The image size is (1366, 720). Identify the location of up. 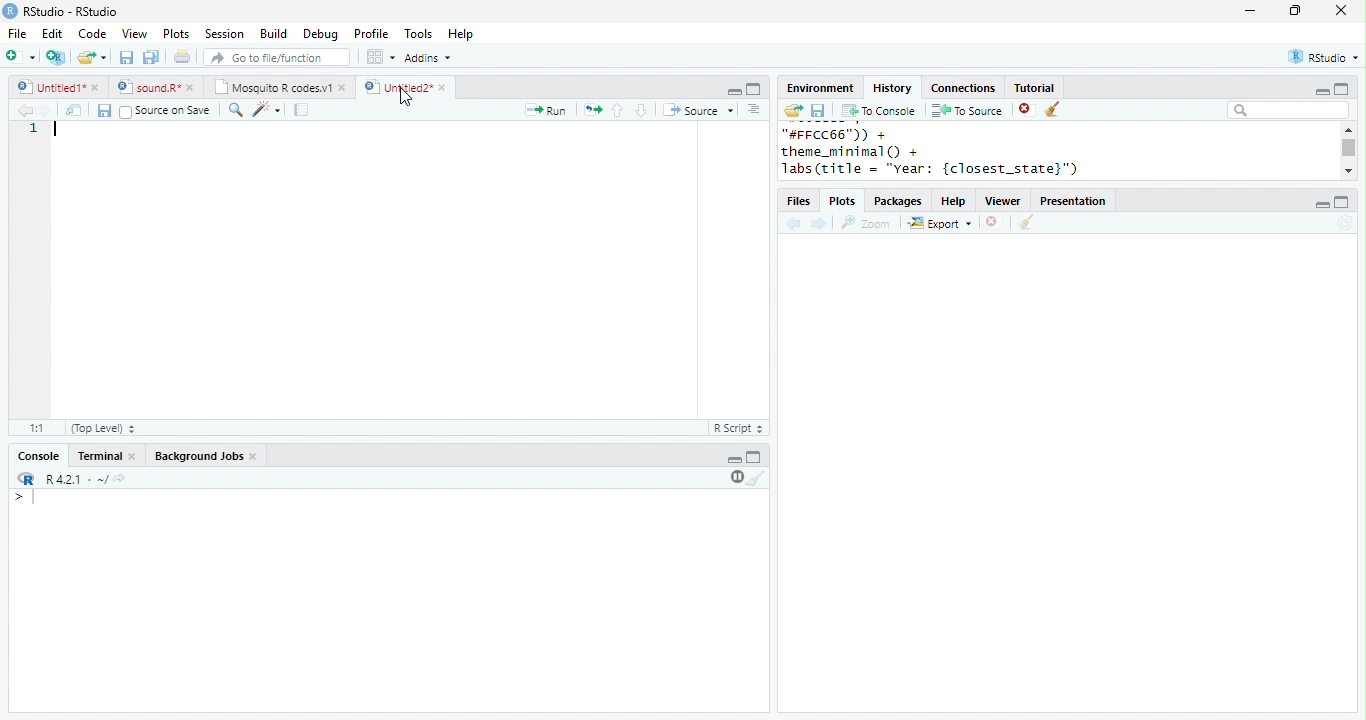
(618, 111).